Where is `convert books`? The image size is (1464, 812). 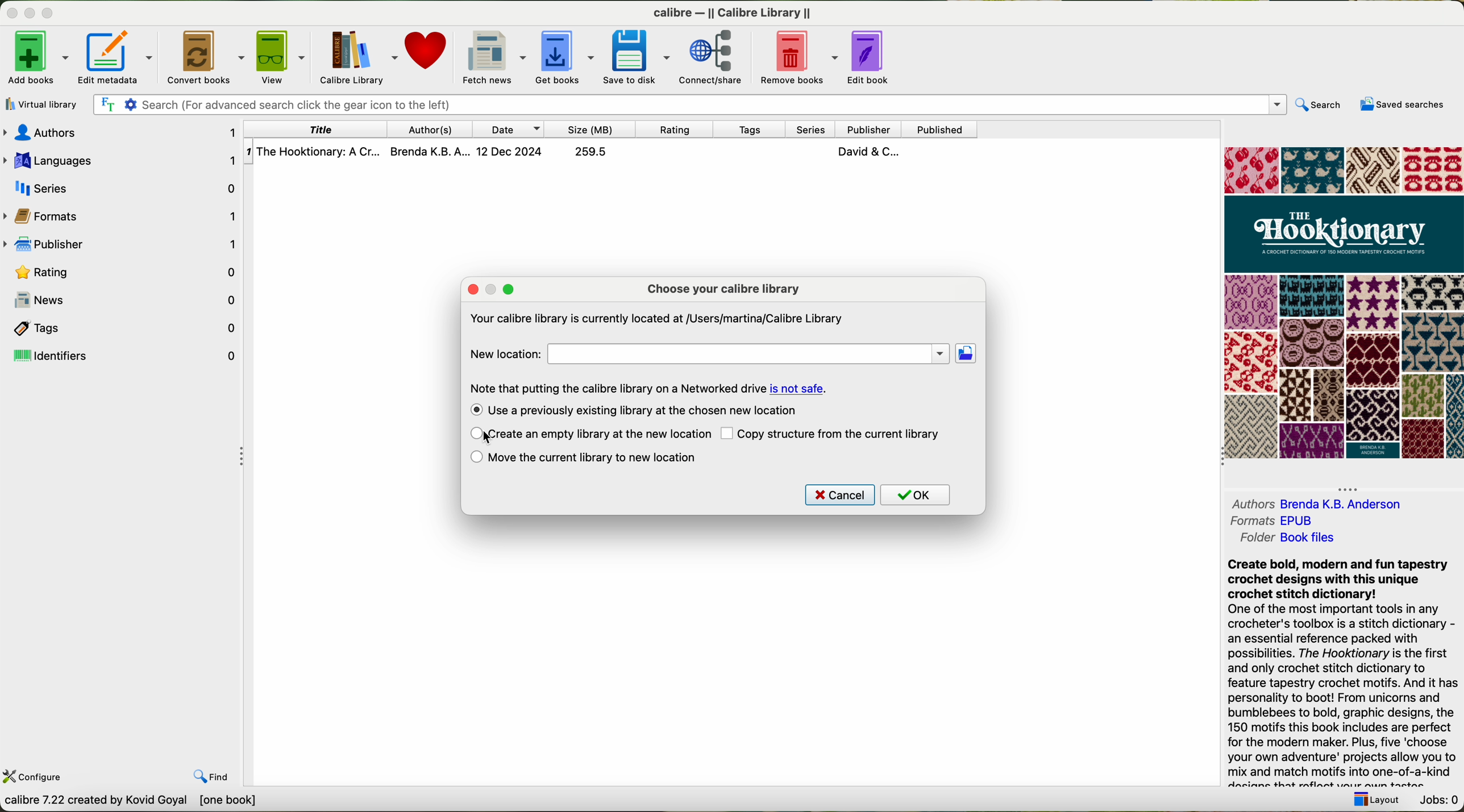
convert books is located at coordinates (204, 56).